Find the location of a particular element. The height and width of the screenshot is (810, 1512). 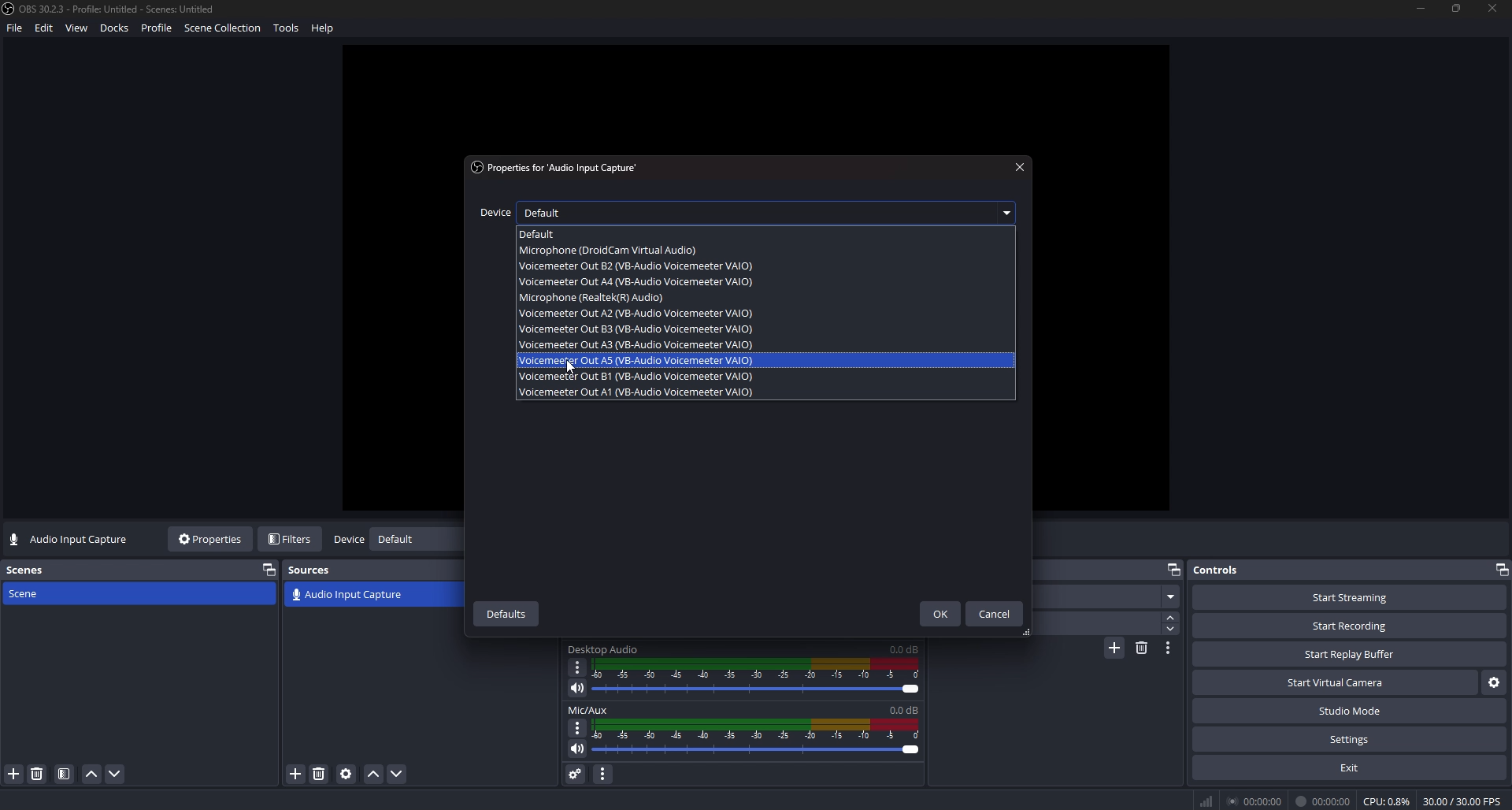

volume is located at coordinates (575, 752).